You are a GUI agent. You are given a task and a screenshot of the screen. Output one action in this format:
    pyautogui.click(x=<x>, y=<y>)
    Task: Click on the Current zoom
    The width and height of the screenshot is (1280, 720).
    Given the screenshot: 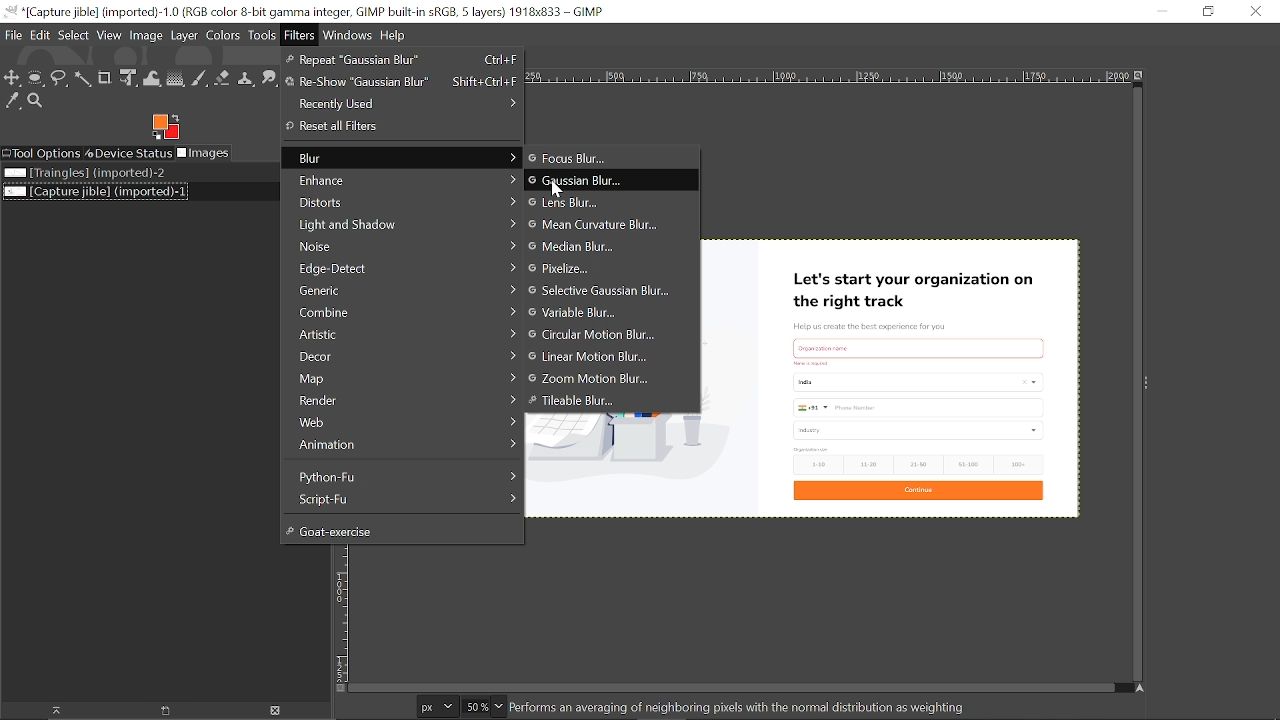 What is the action you would take?
    pyautogui.click(x=475, y=706)
    